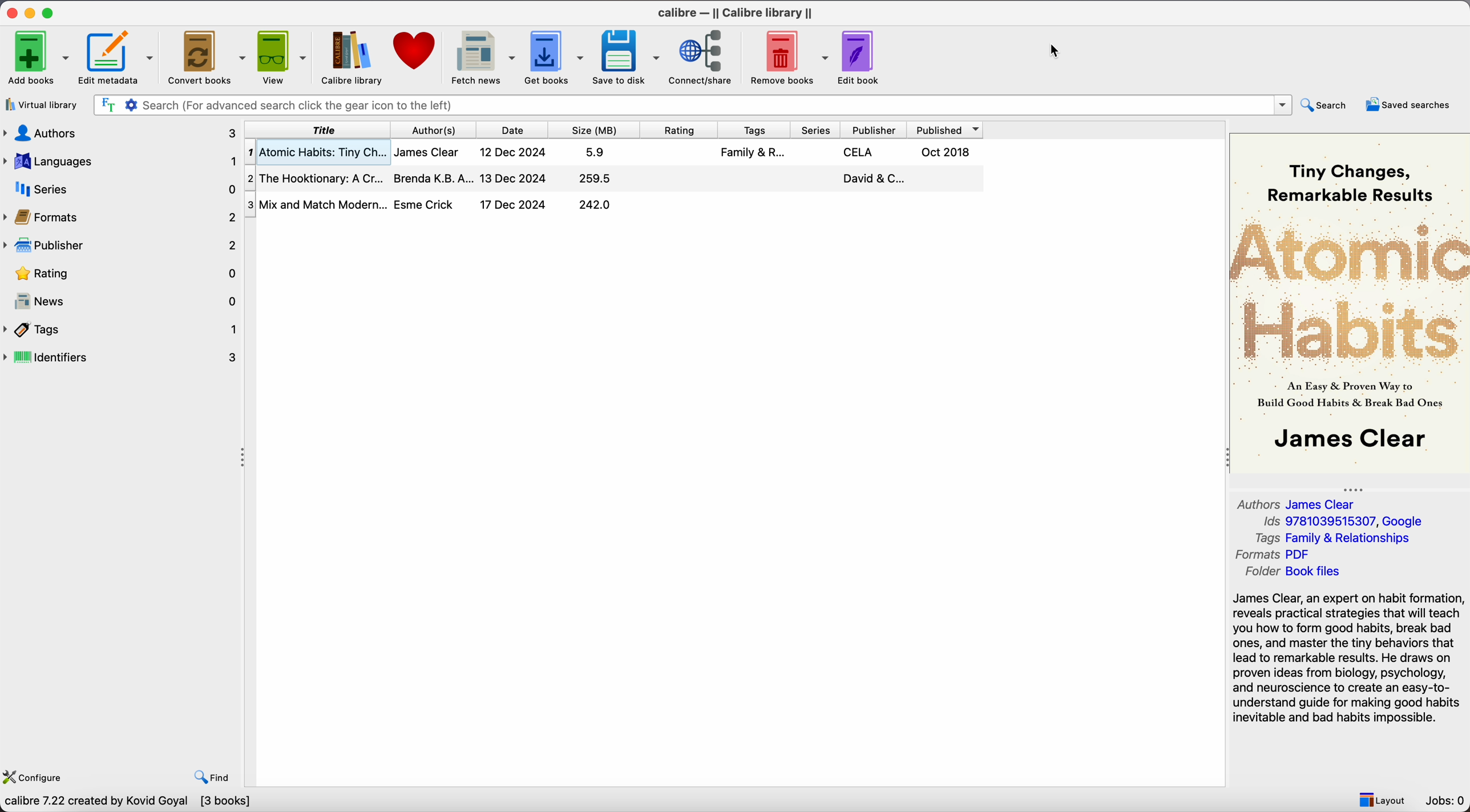 Image resolution: width=1470 pixels, height=812 pixels. What do you see at coordinates (818, 130) in the screenshot?
I see `series` at bounding box center [818, 130].